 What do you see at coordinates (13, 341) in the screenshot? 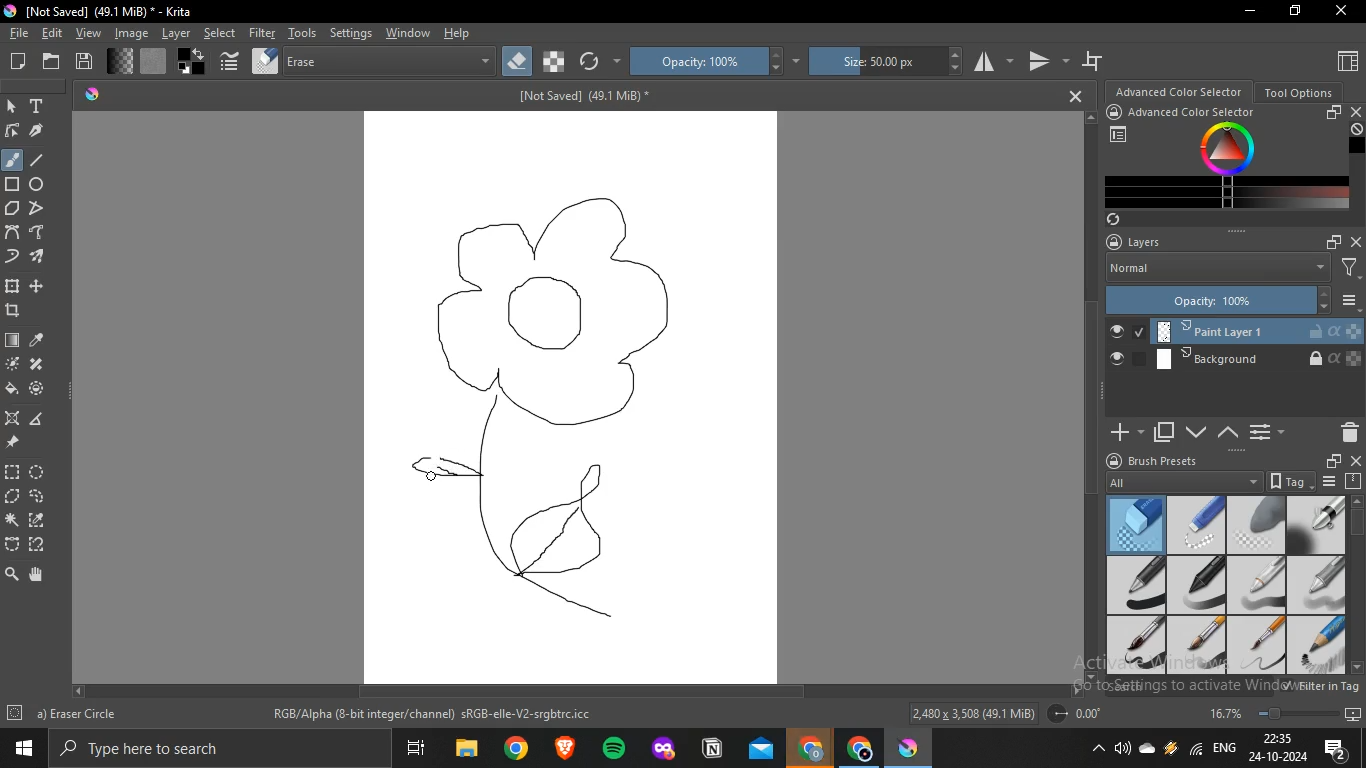
I see `draw gradient` at bounding box center [13, 341].